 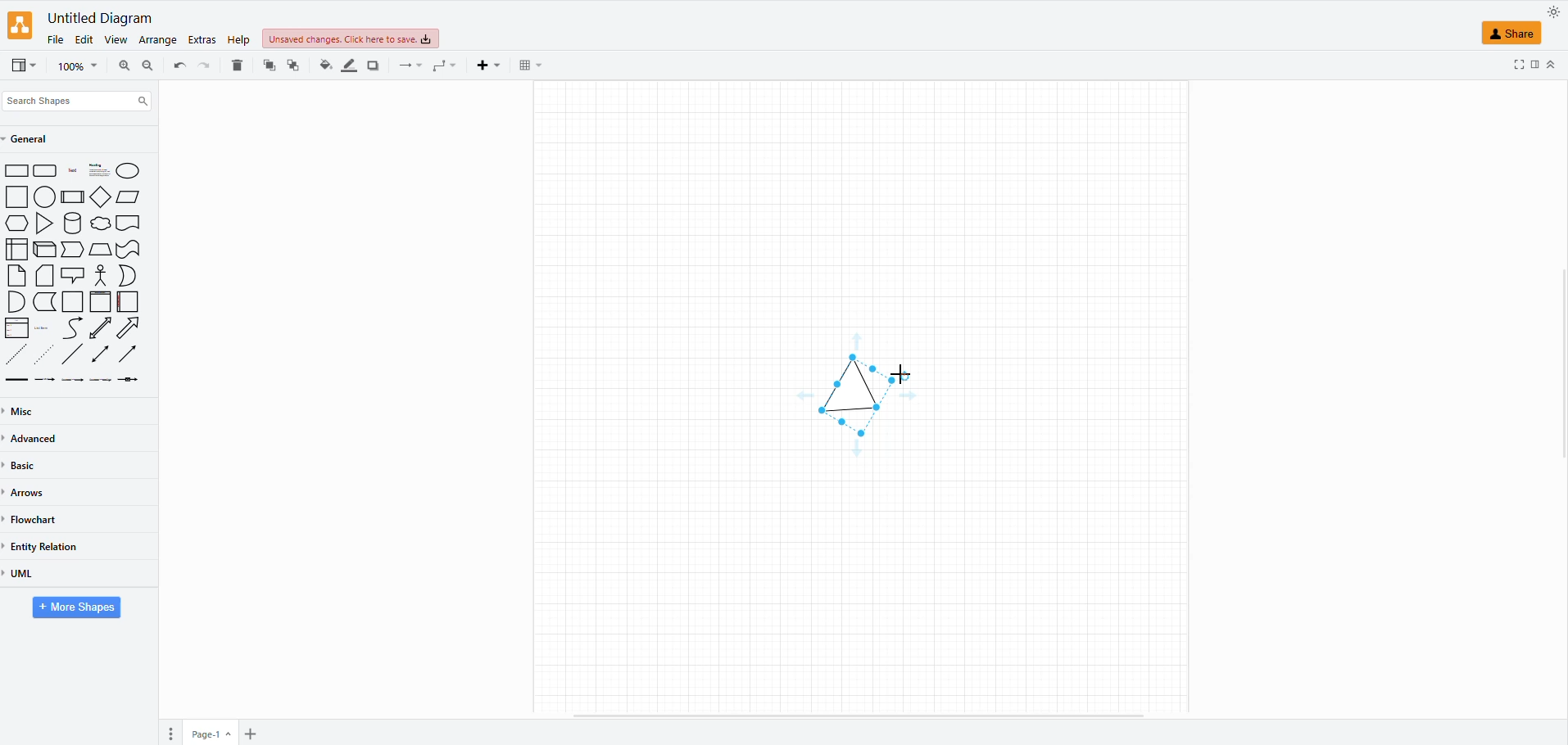 What do you see at coordinates (347, 40) in the screenshot?
I see `unsaved changes` at bounding box center [347, 40].